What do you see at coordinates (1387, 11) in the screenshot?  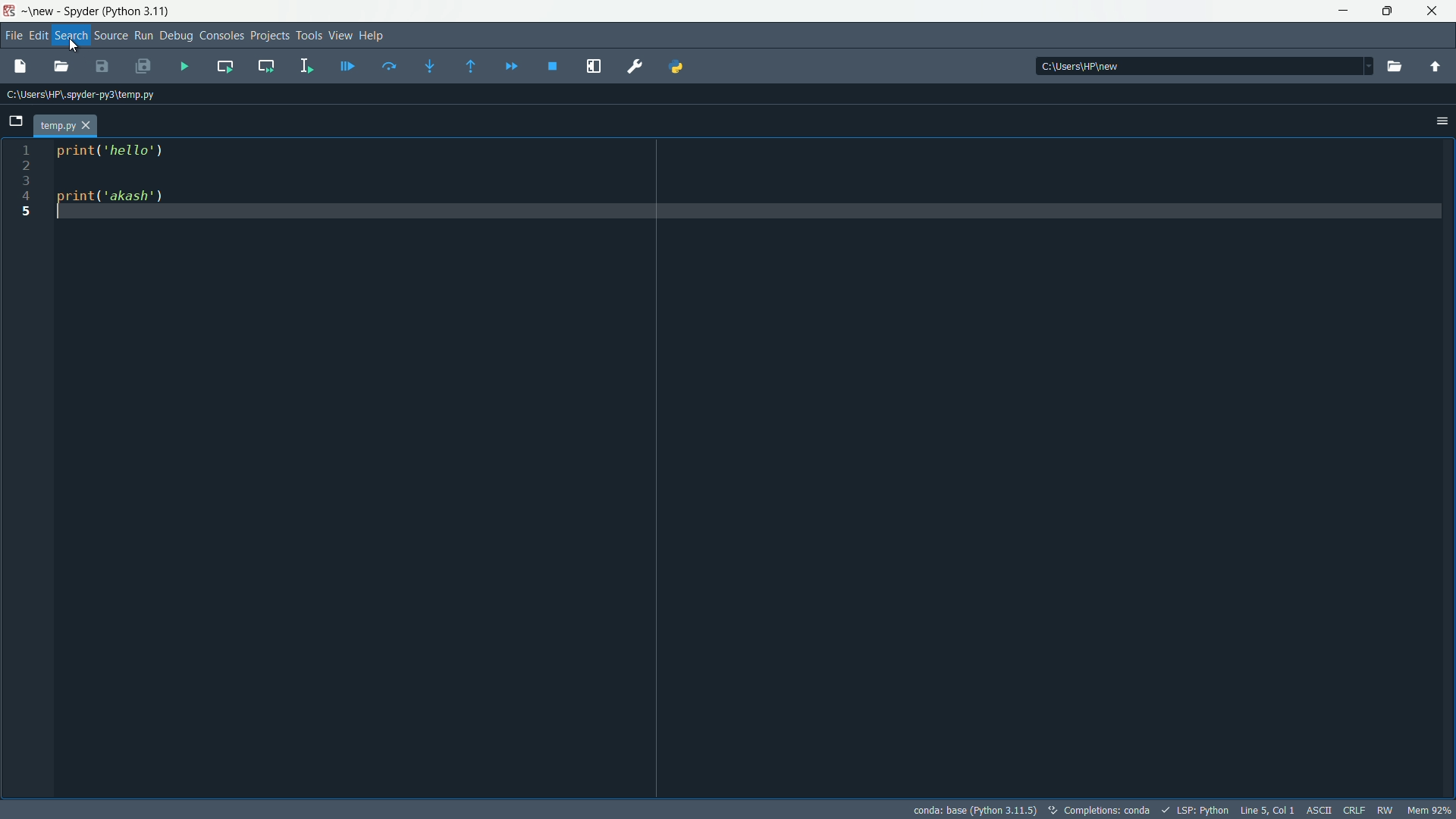 I see `restore` at bounding box center [1387, 11].